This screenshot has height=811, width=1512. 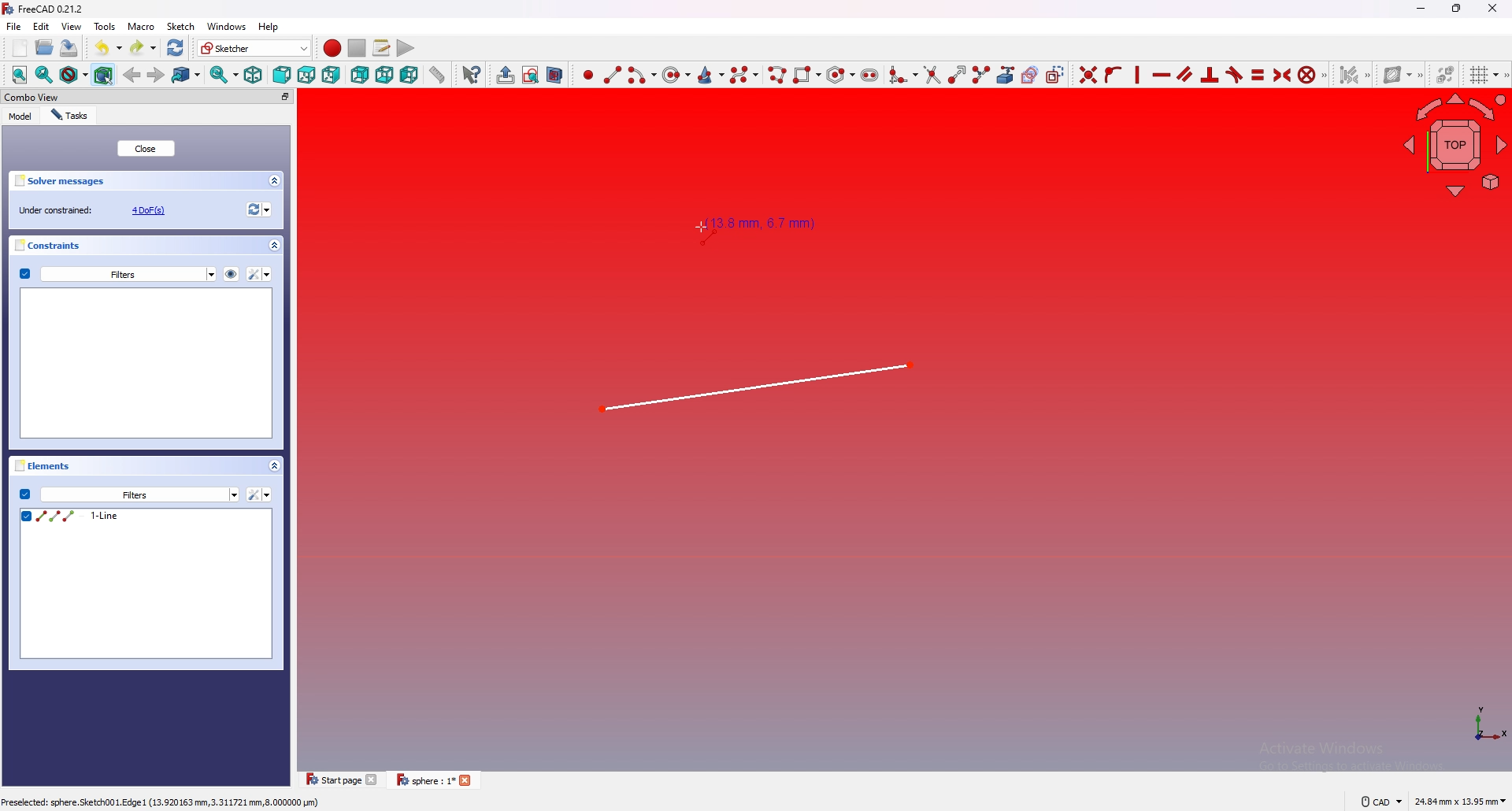 What do you see at coordinates (711, 73) in the screenshot?
I see `Create conic` at bounding box center [711, 73].